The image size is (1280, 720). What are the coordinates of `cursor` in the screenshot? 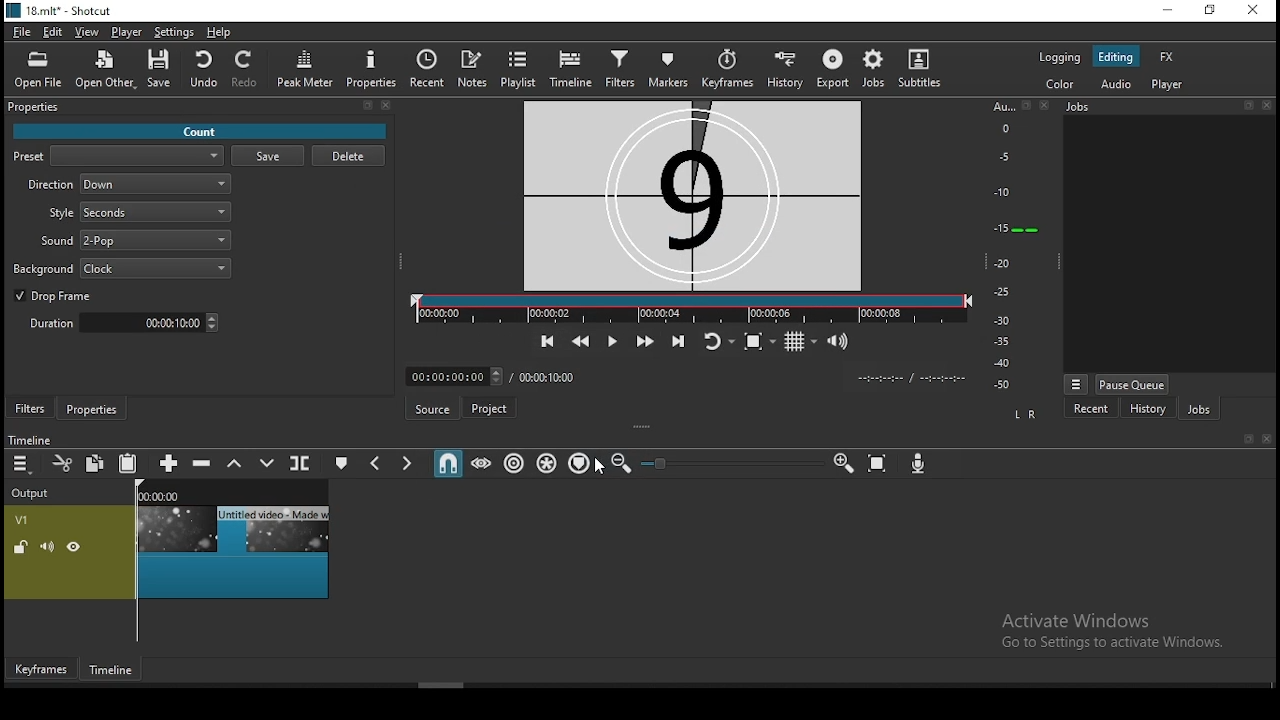 It's located at (604, 468).